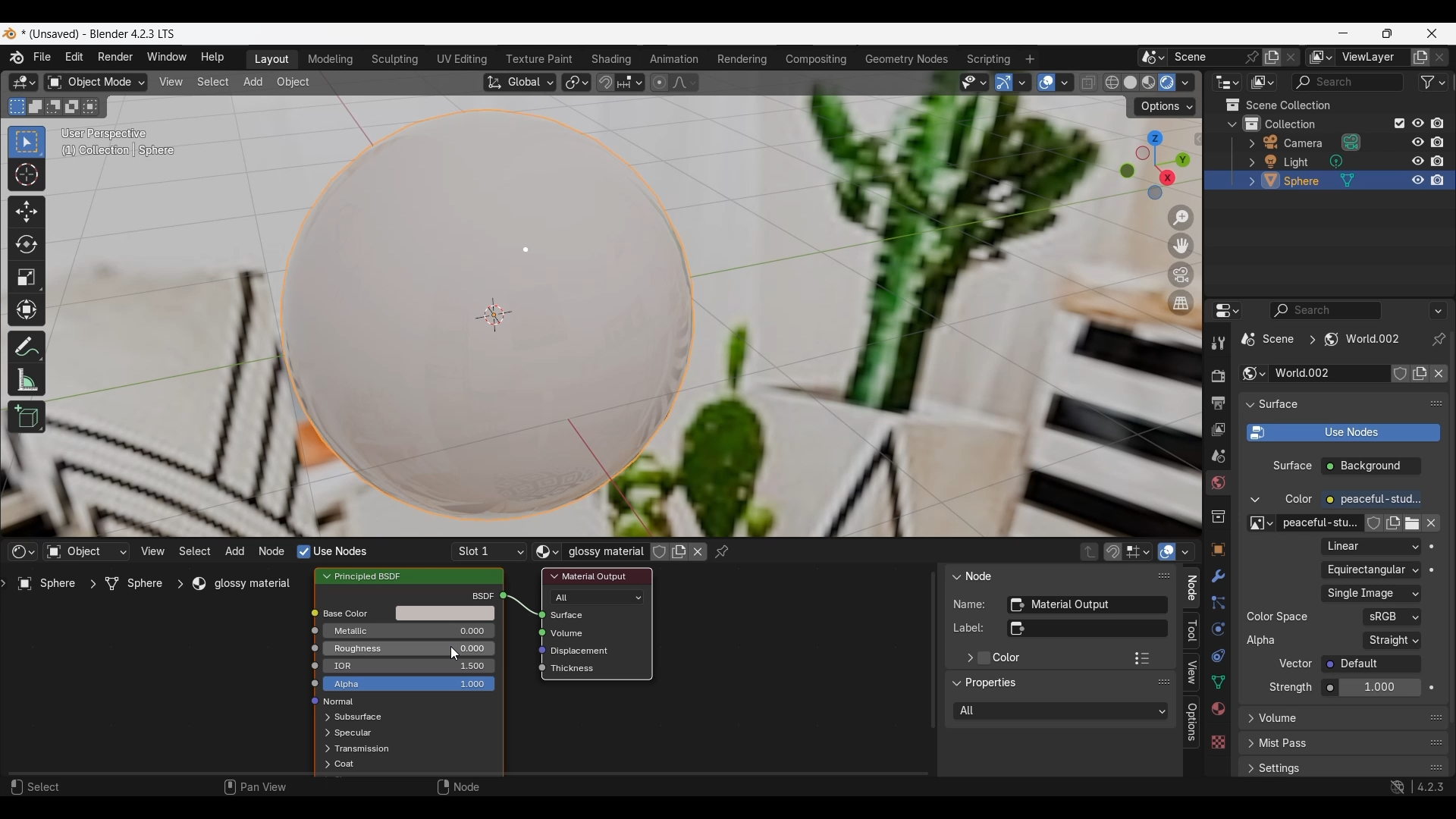 This screenshot has height=819, width=1456. Describe the element at coordinates (1392, 523) in the screenshot. I see `Add new color` at that location.